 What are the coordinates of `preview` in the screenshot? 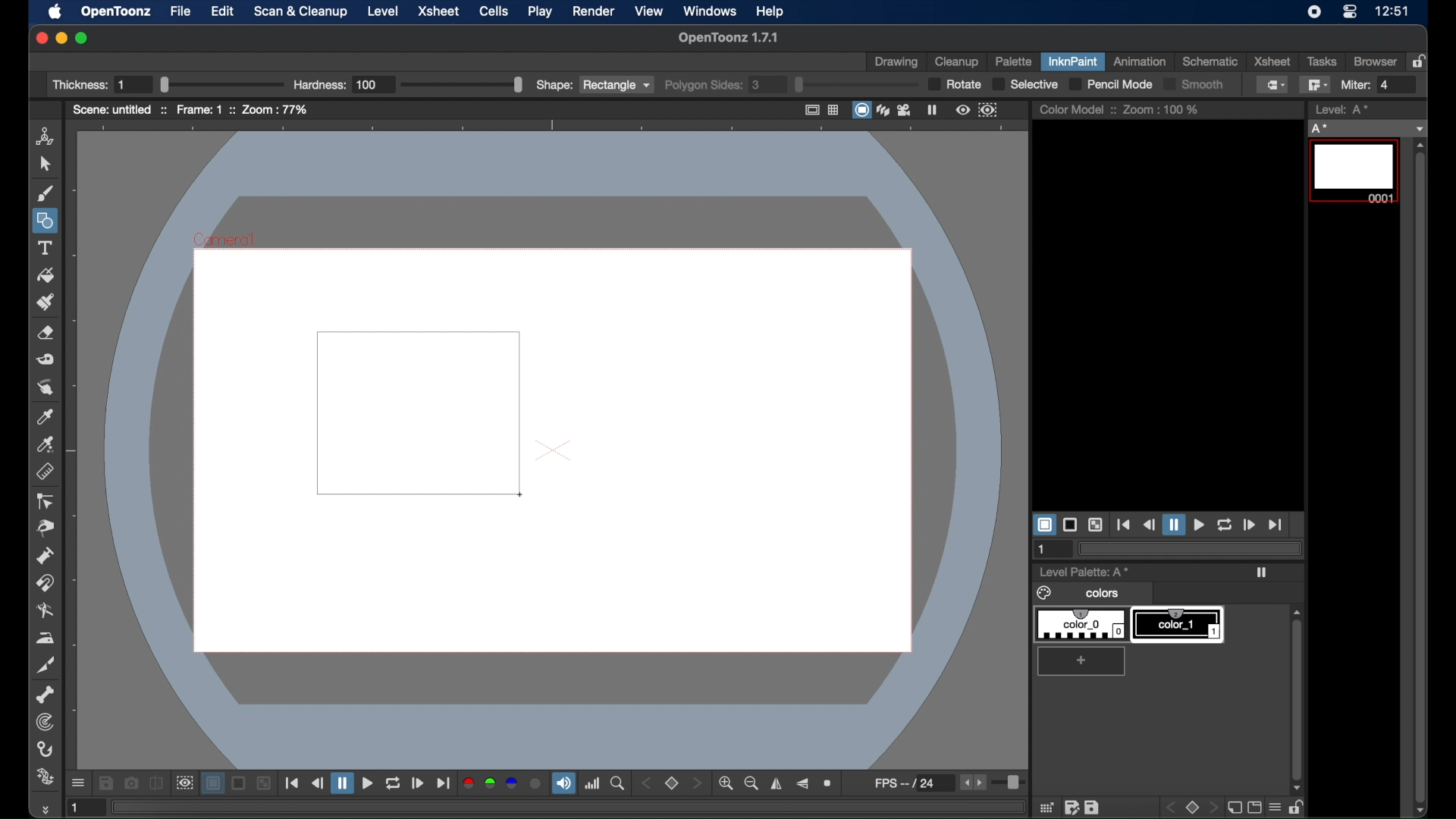 It's located at (963, 110).